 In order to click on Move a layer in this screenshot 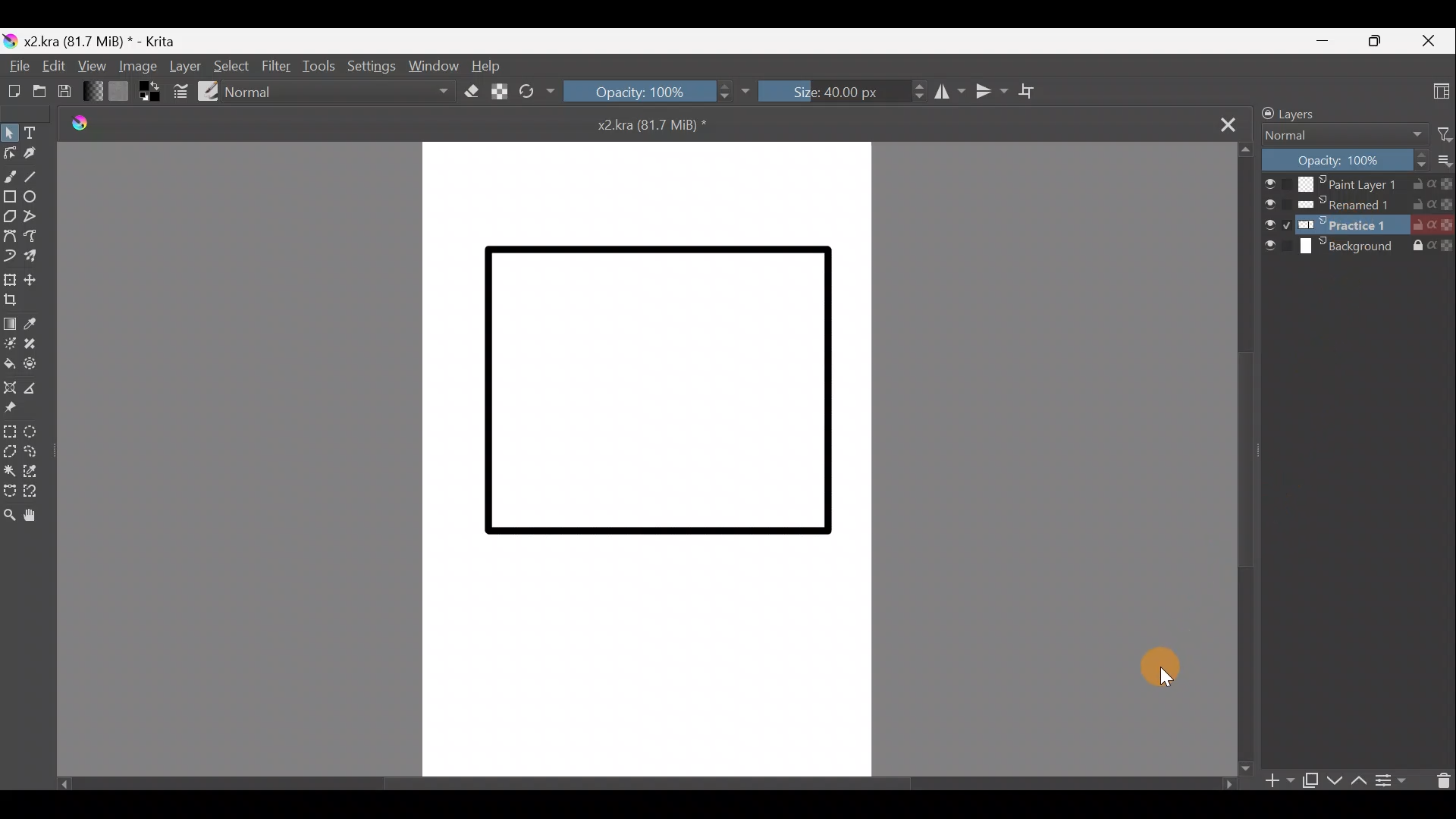, I will do `click(39, 279)`.